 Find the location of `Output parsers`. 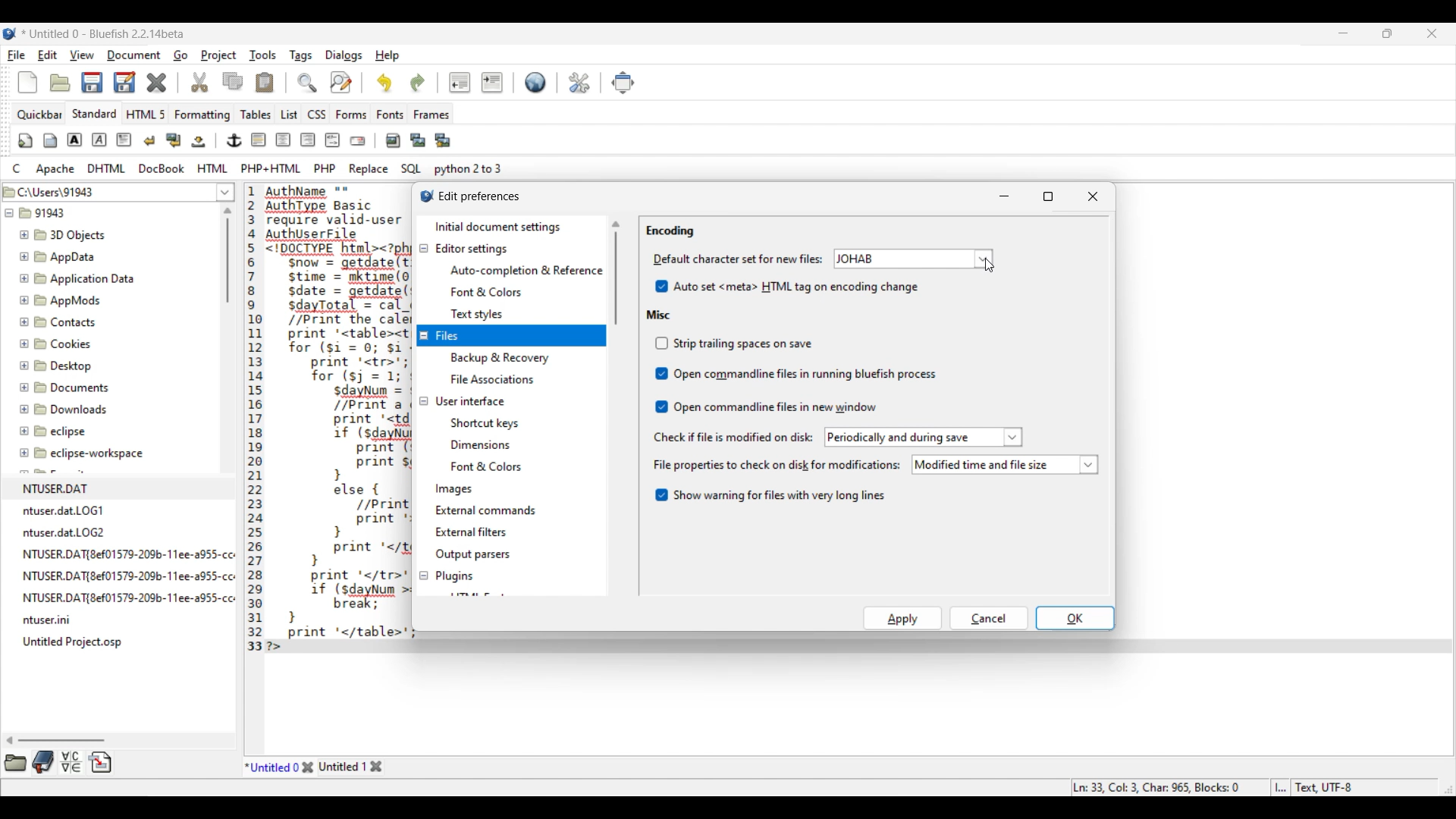

Output parsers is located at coordinates (474, 554).